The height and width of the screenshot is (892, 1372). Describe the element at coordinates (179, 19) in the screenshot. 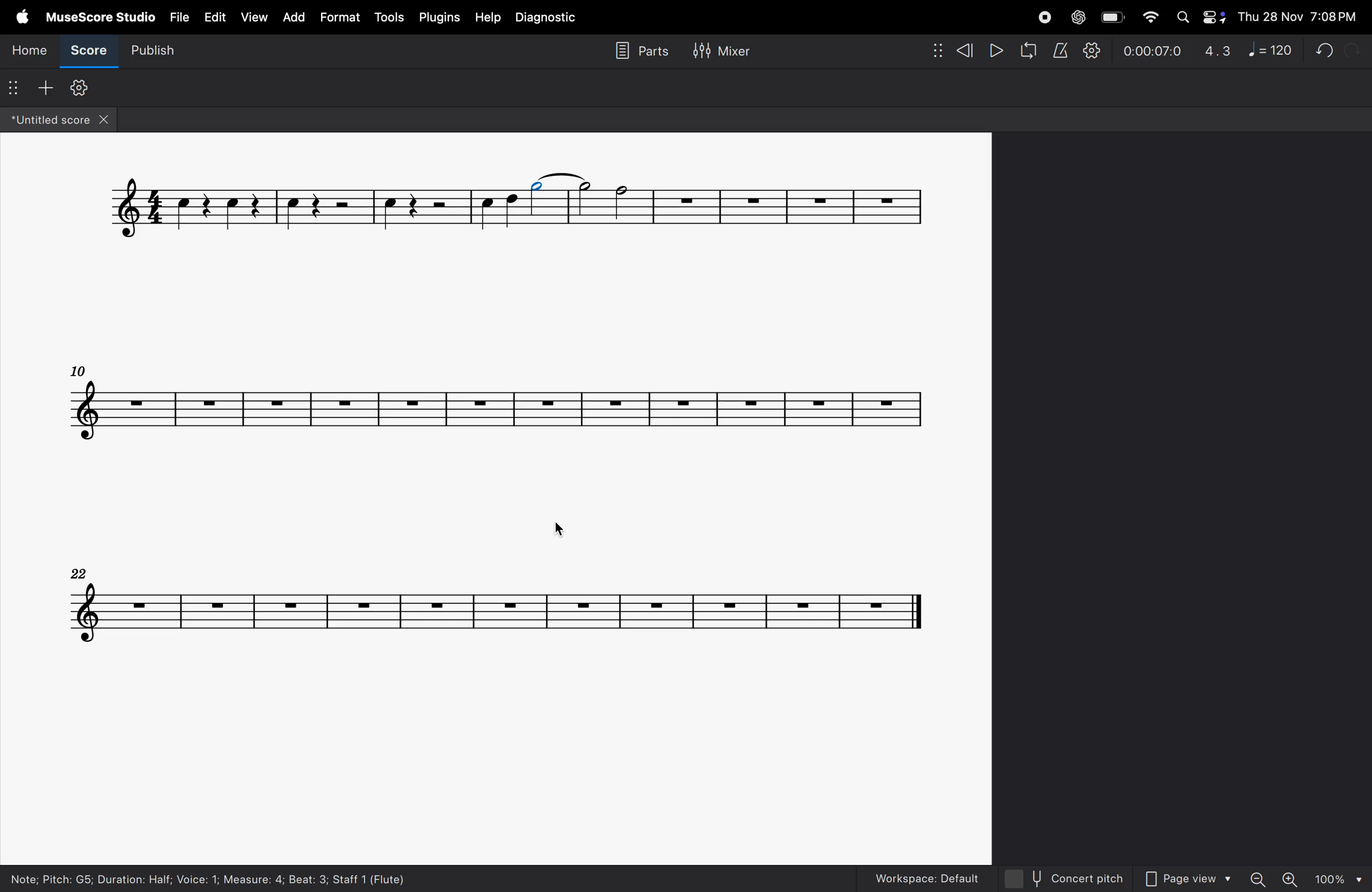

I see `file` at that location.